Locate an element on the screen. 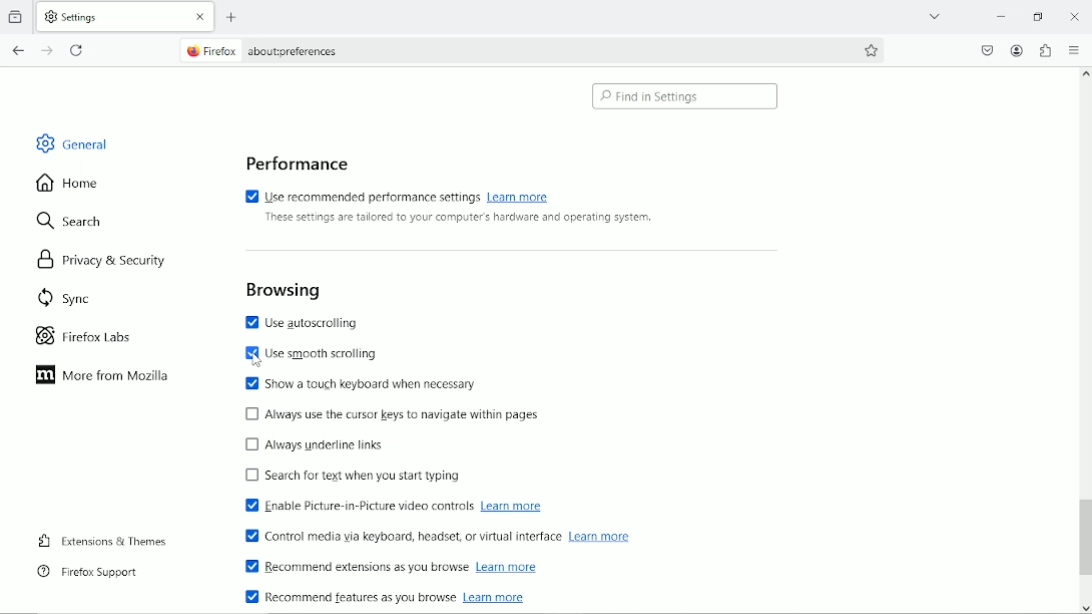 The image size is (1092, 614). Open application menu is located at coordinates (1074, 49).